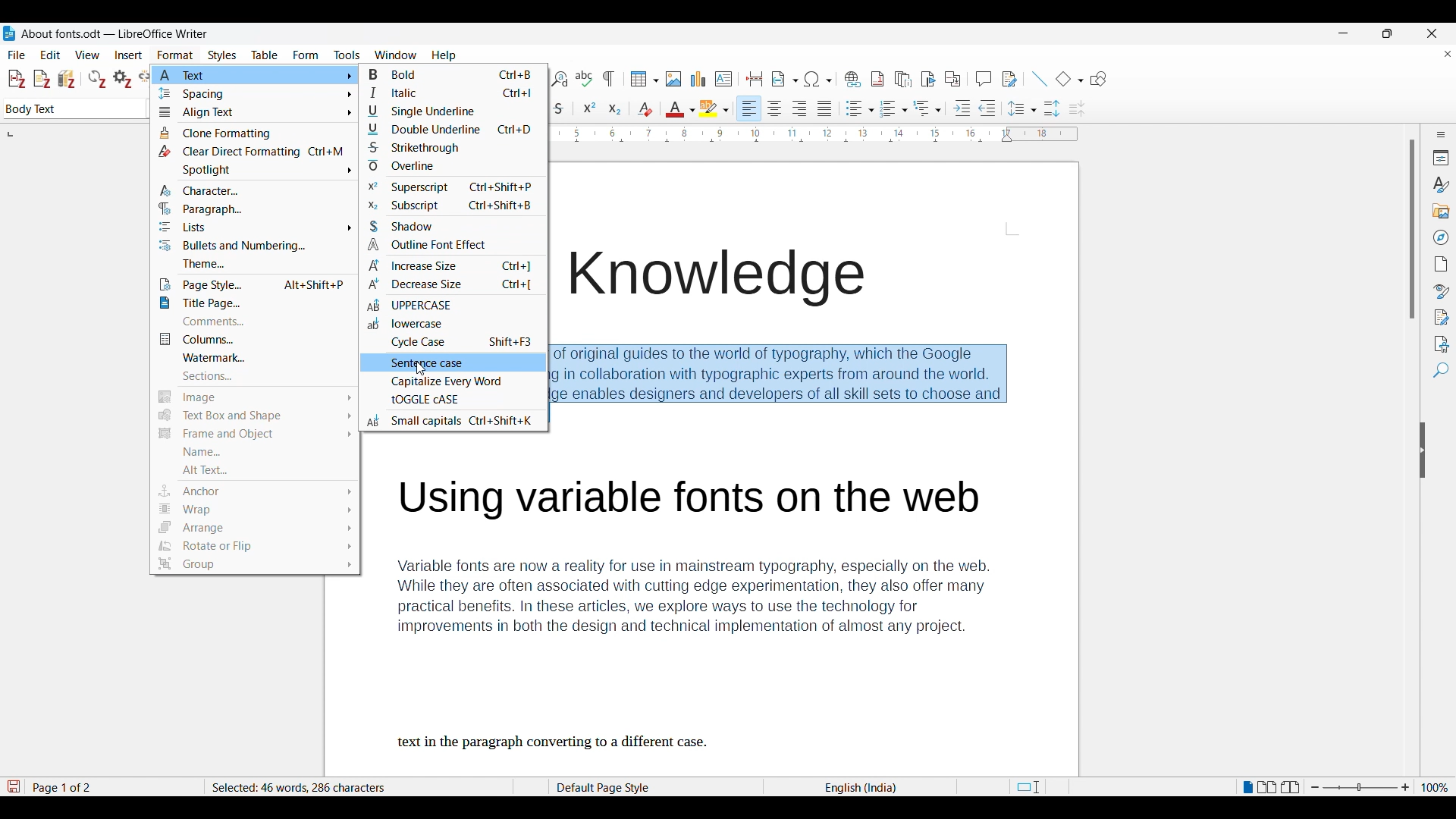  Describe the element at coordinates (723, 79) in the screenshot. I see `Insert text box` at that location.